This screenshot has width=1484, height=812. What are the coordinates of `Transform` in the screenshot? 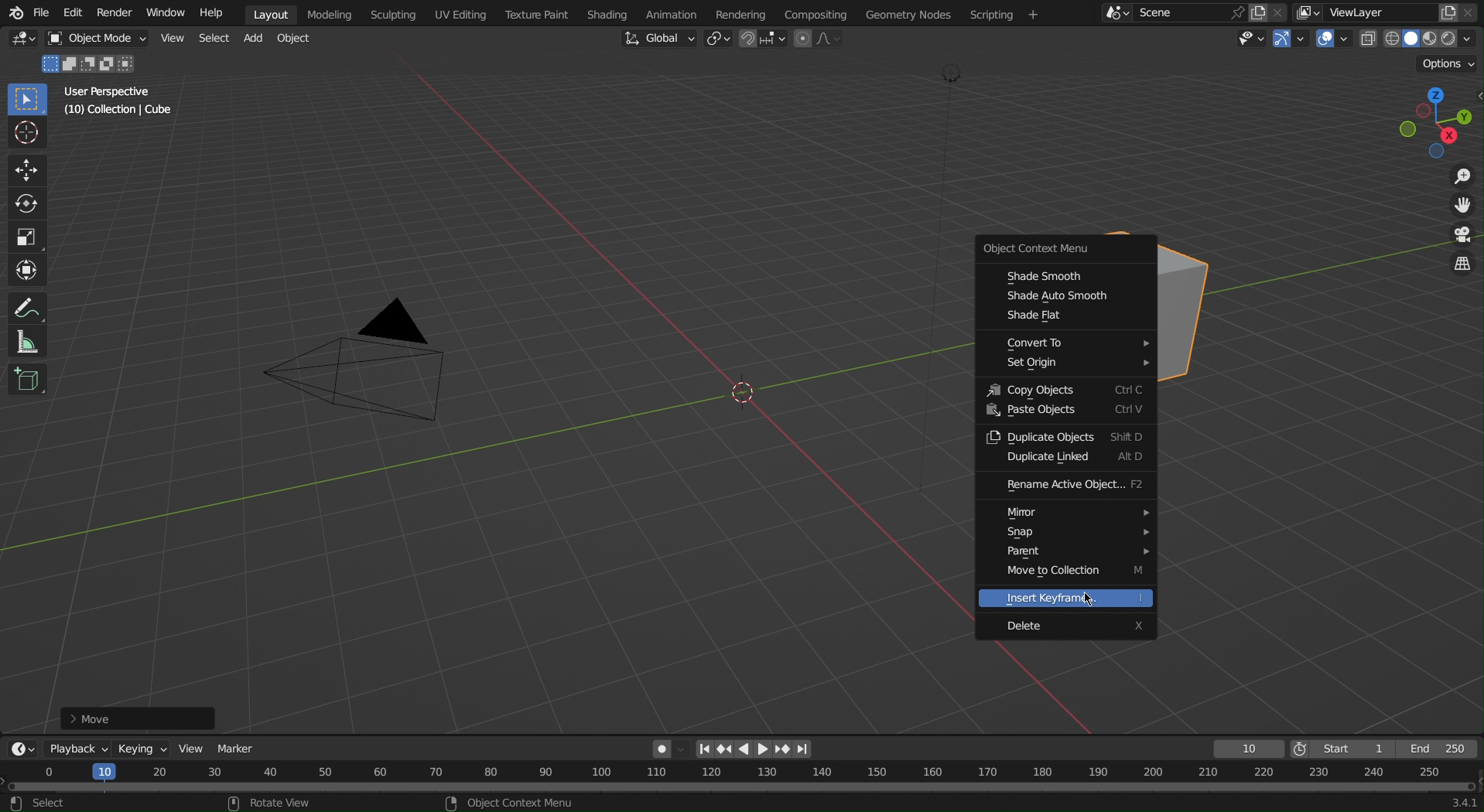 It's located at (27, 268).